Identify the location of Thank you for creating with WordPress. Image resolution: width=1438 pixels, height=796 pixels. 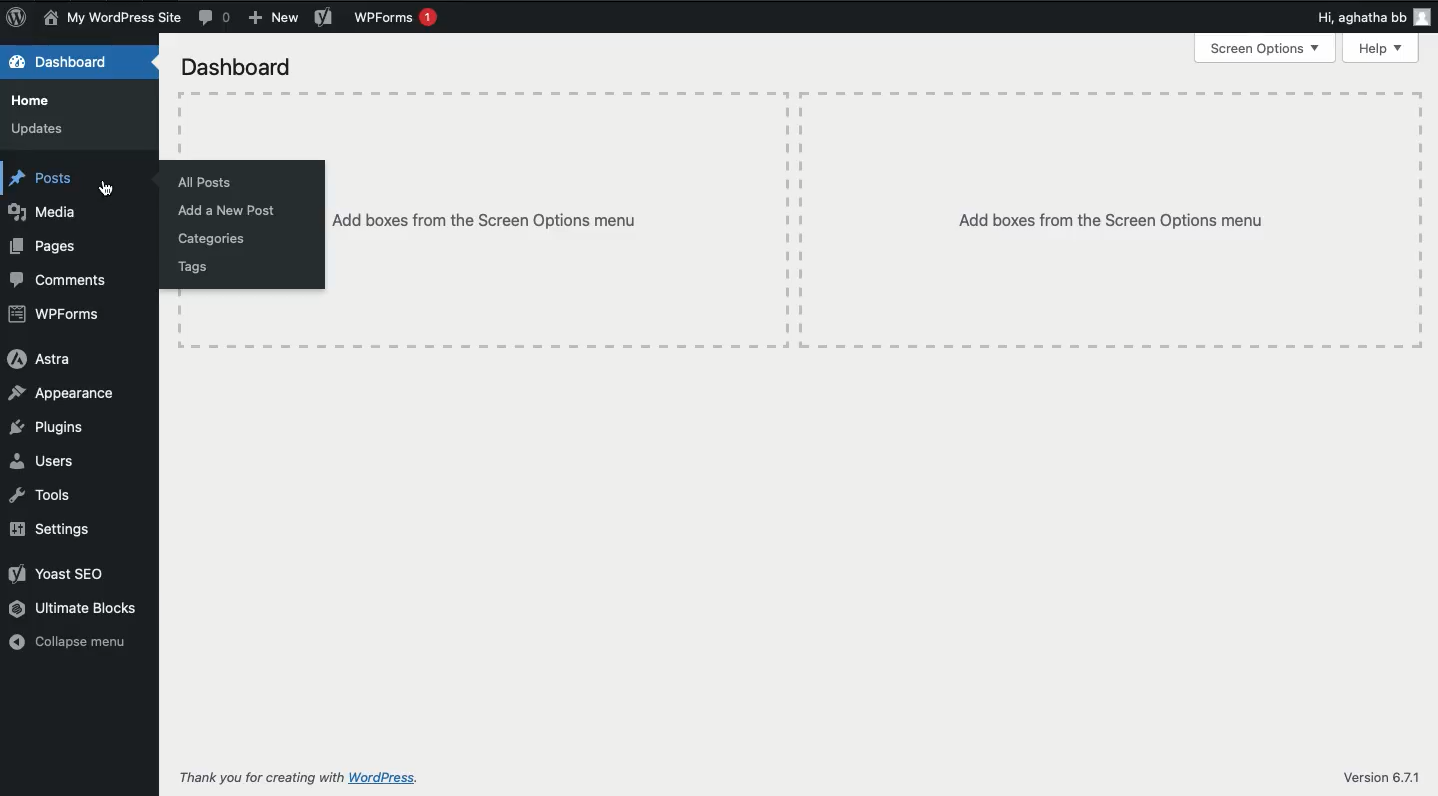
(297, 779).